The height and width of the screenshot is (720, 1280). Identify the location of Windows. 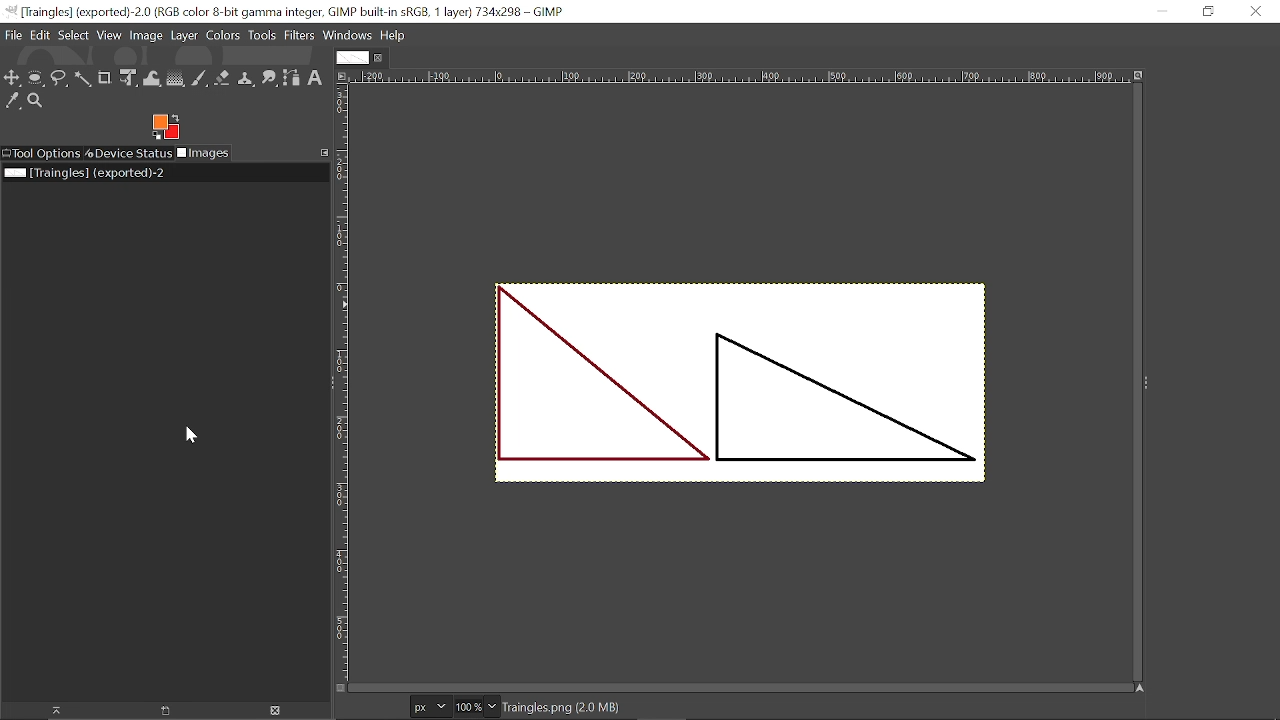
(348, 37).